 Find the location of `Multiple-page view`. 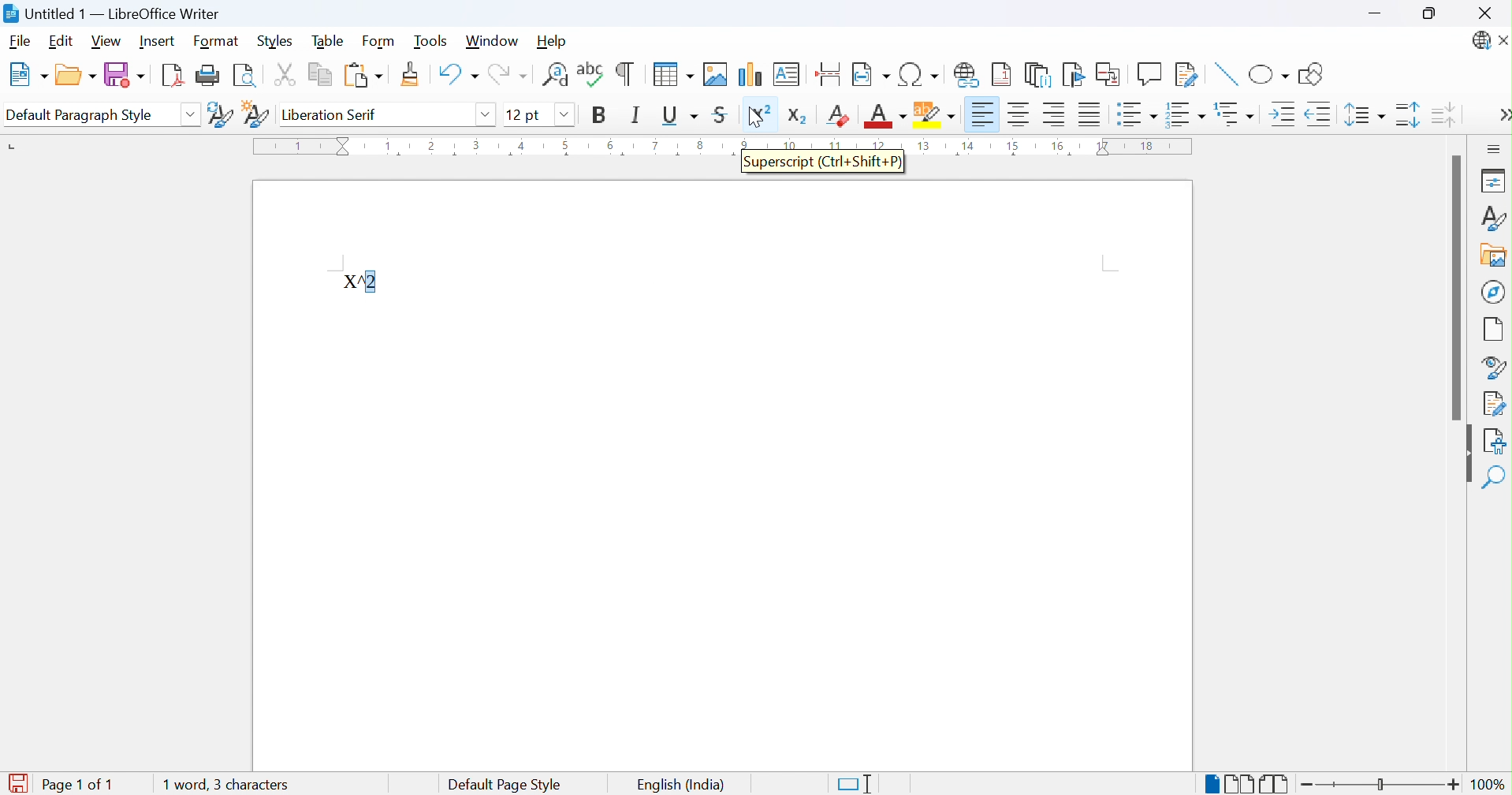

Multiple-page view is located at coordinates (1241, 783).